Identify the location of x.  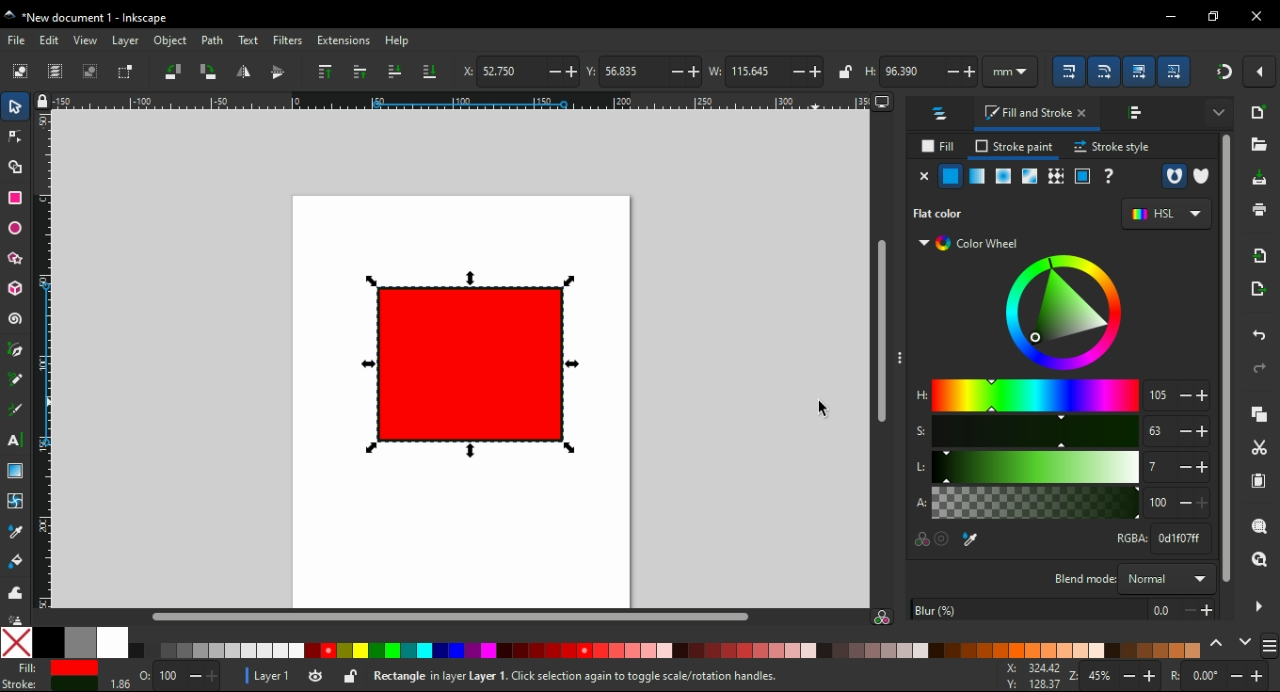
(1032, 676).